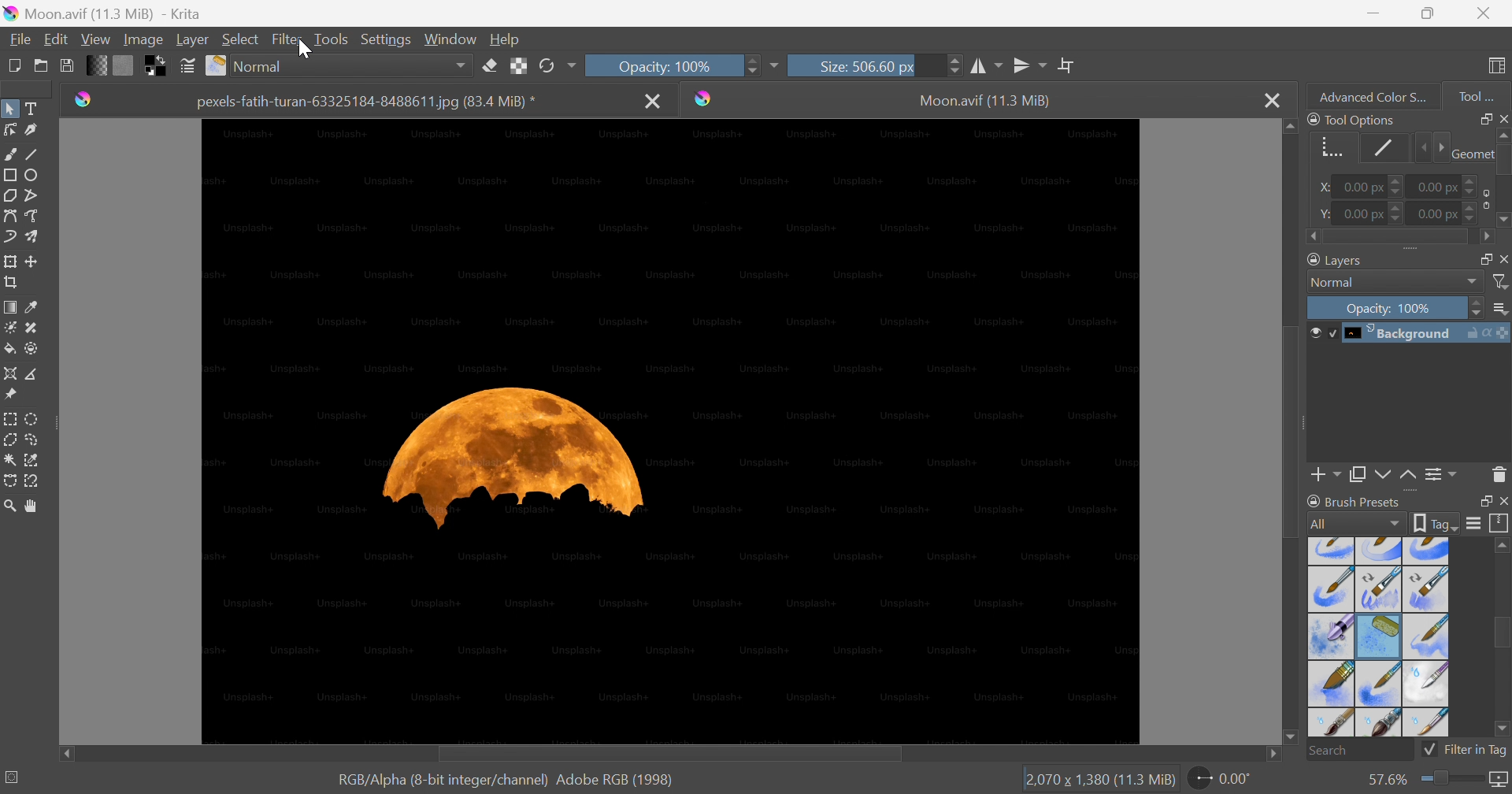 The width and height of the screenshot is (1512, 794). What do you see at coordinates (1503, 134) in the screenshot?
I see `Scroll up` at bounding box center [1503, 134].